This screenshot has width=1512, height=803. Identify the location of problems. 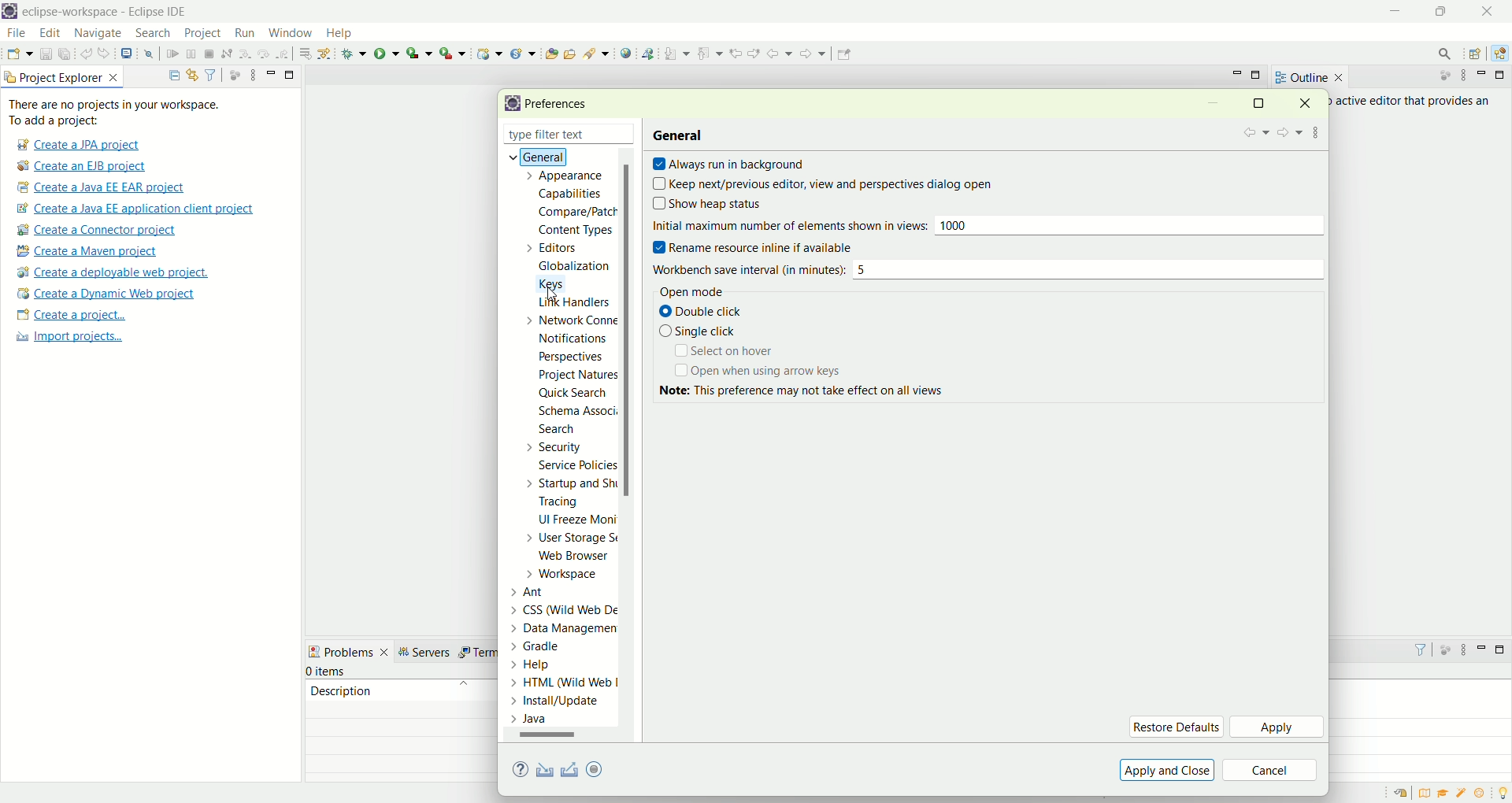
(349, 650).